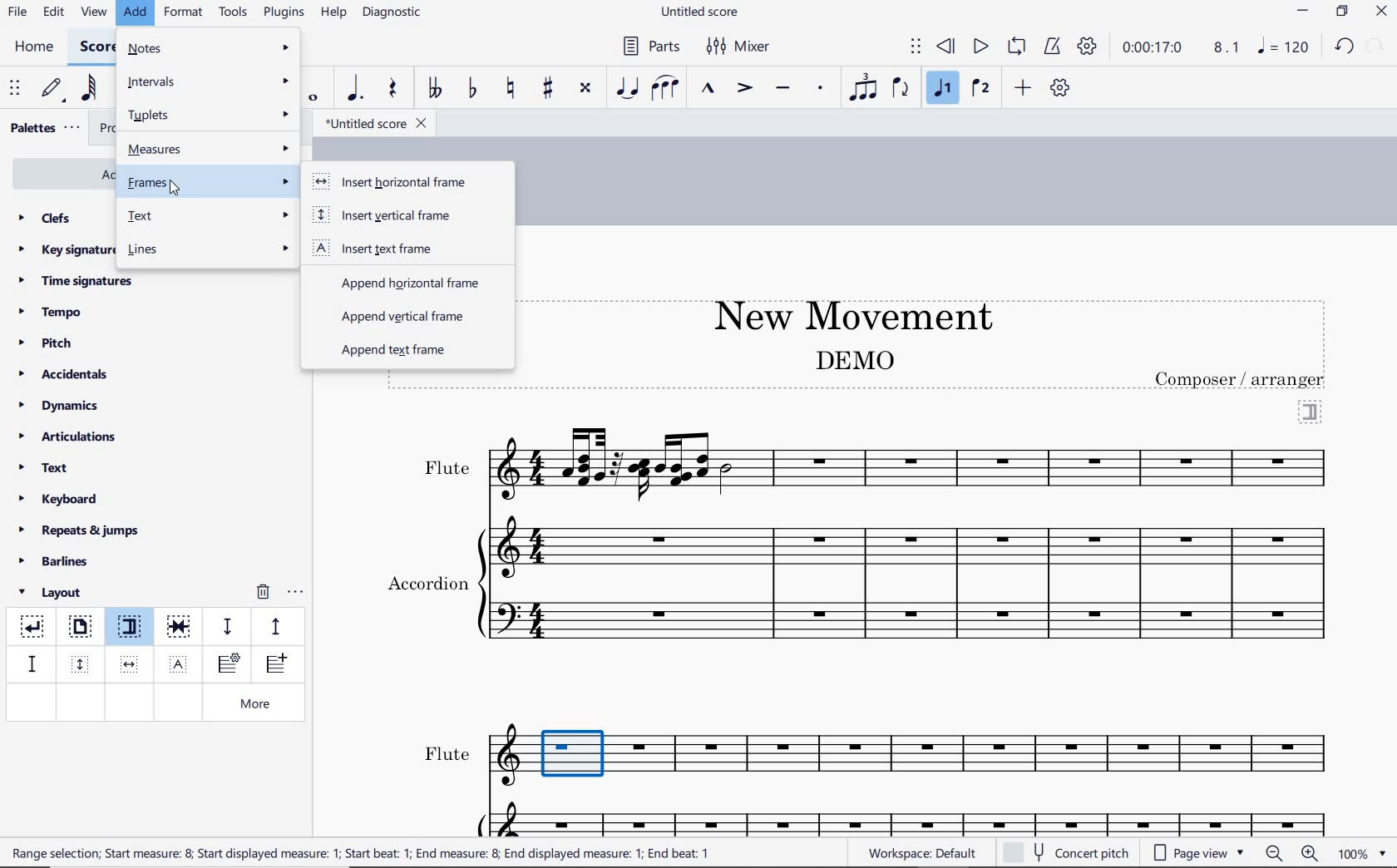 This screenshot has height=868, width=1397. What do you see at coordinates (353, 89) in the screenshot?
I see `augmentation dot` at bounding box center [353, 89].